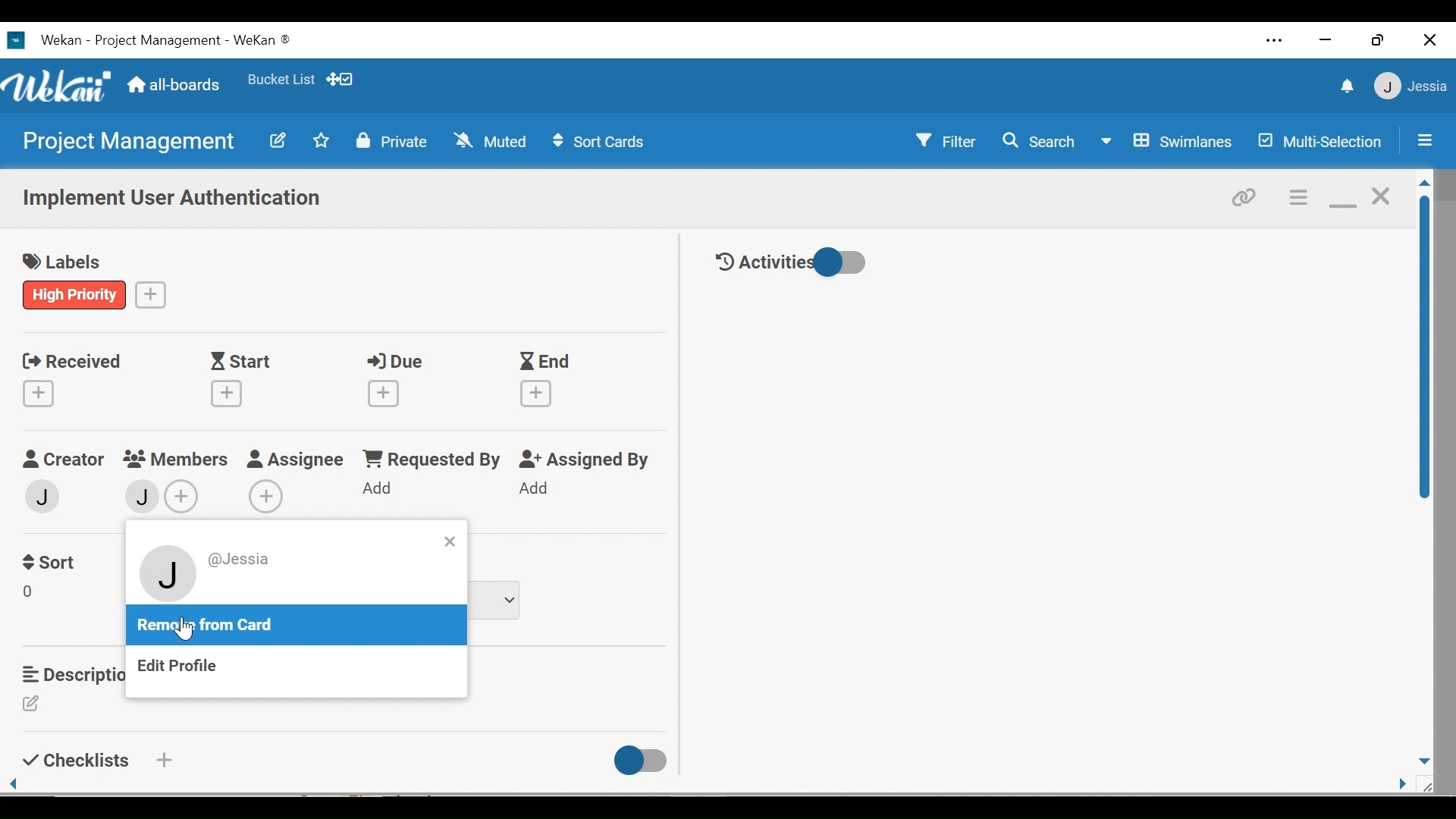 The image size is (1456, 819). Describe the element at coordinates (176, 458) in the screenshot. I see `Members` at that location.